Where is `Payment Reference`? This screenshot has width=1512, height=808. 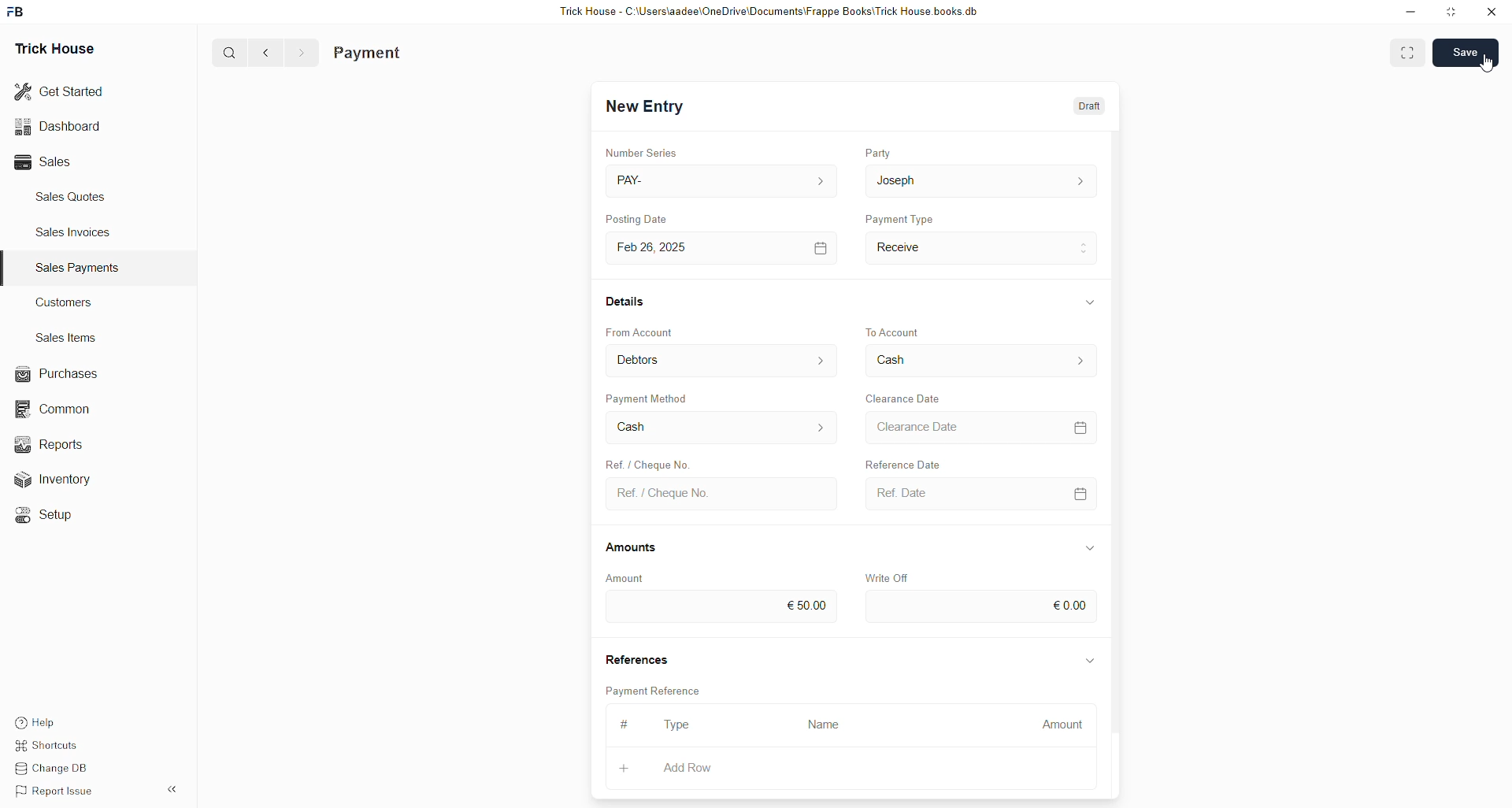 Payment Reference is located at coordinates (656, 689).